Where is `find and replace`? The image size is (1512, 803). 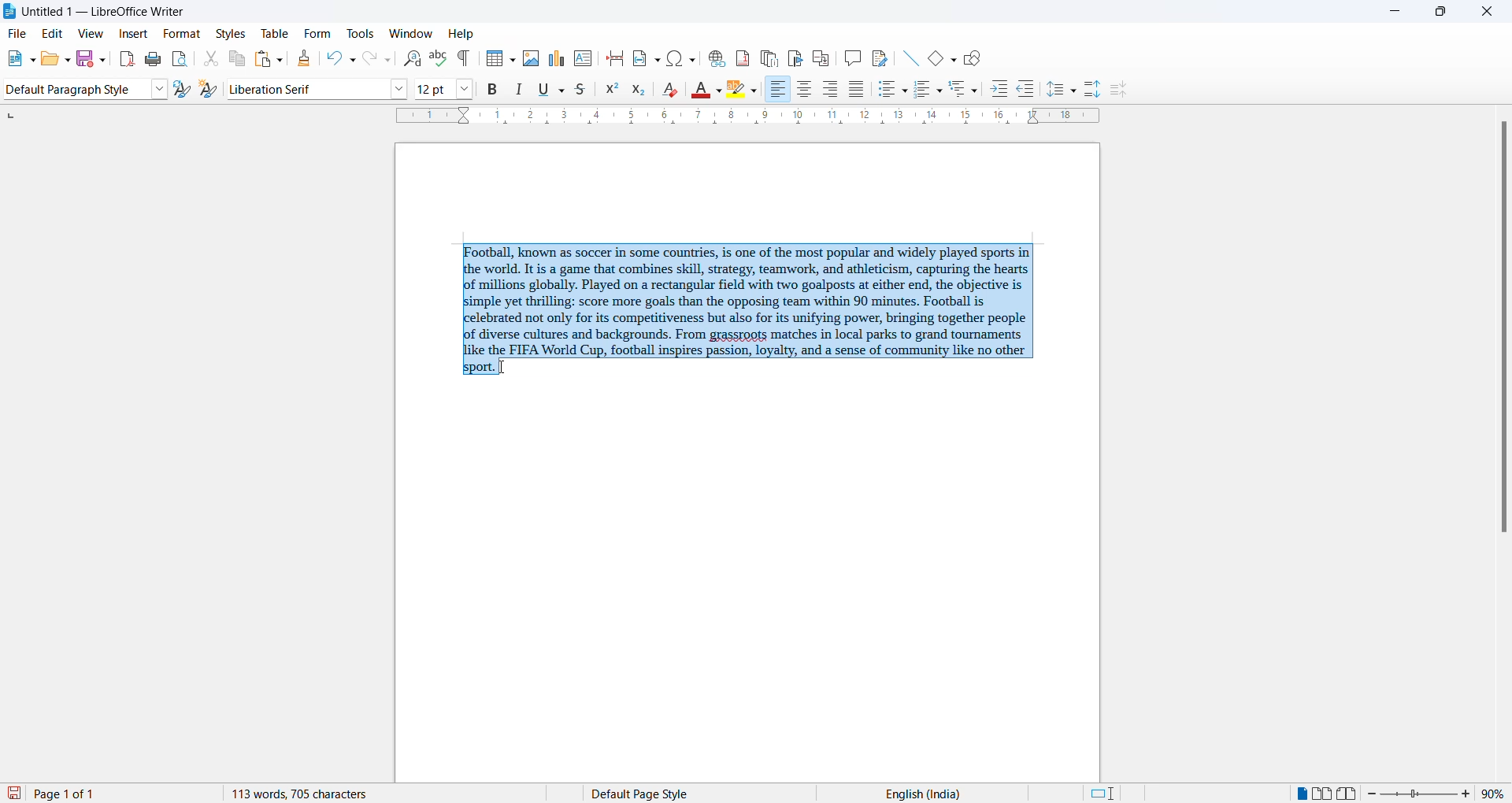 find and replace is located at coordinates (413, 58).